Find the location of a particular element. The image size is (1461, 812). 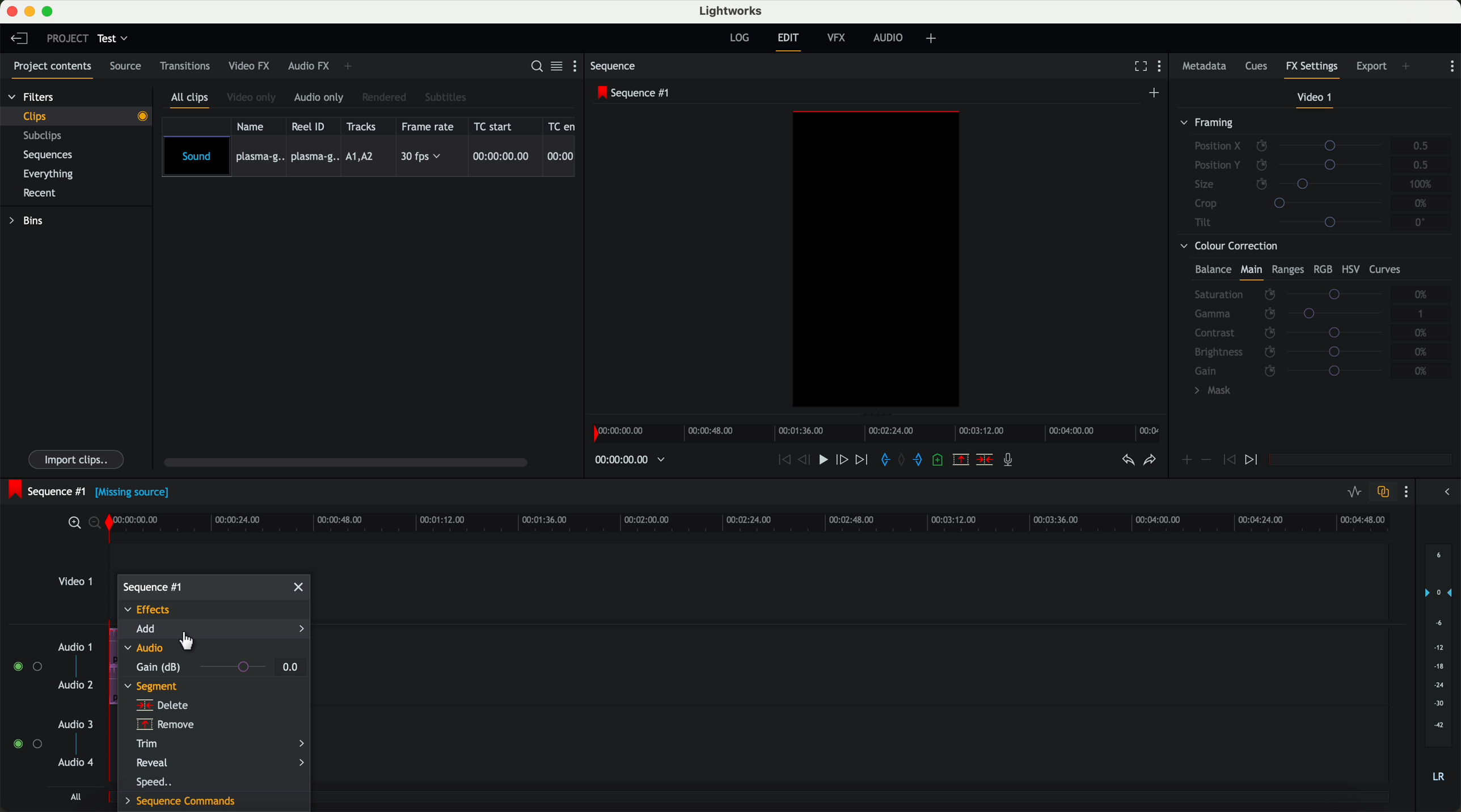

import clips is located at coordinates (78, 458).